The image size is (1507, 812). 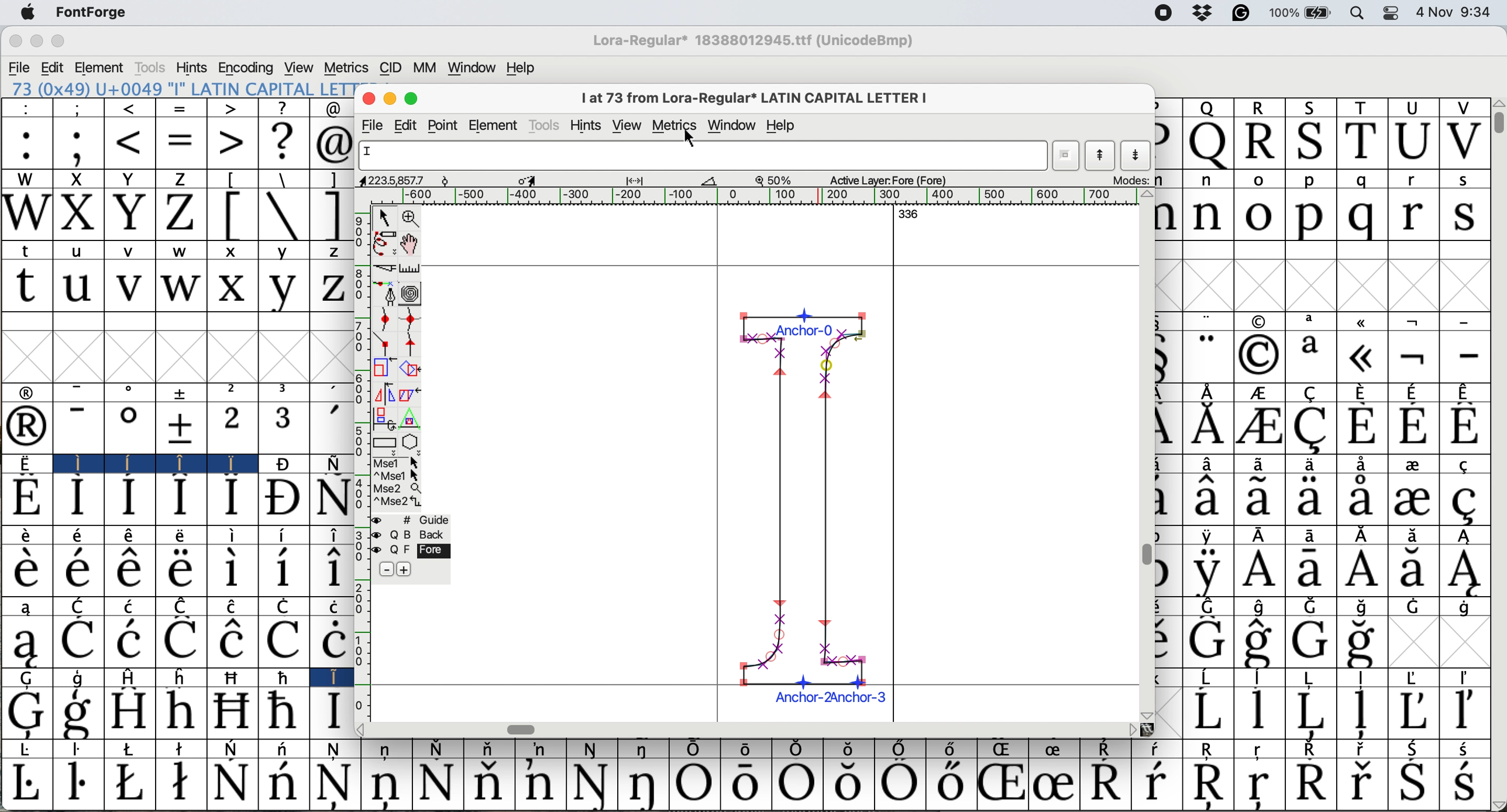 I want to click on Symbol, so click(x=1309, y=783).